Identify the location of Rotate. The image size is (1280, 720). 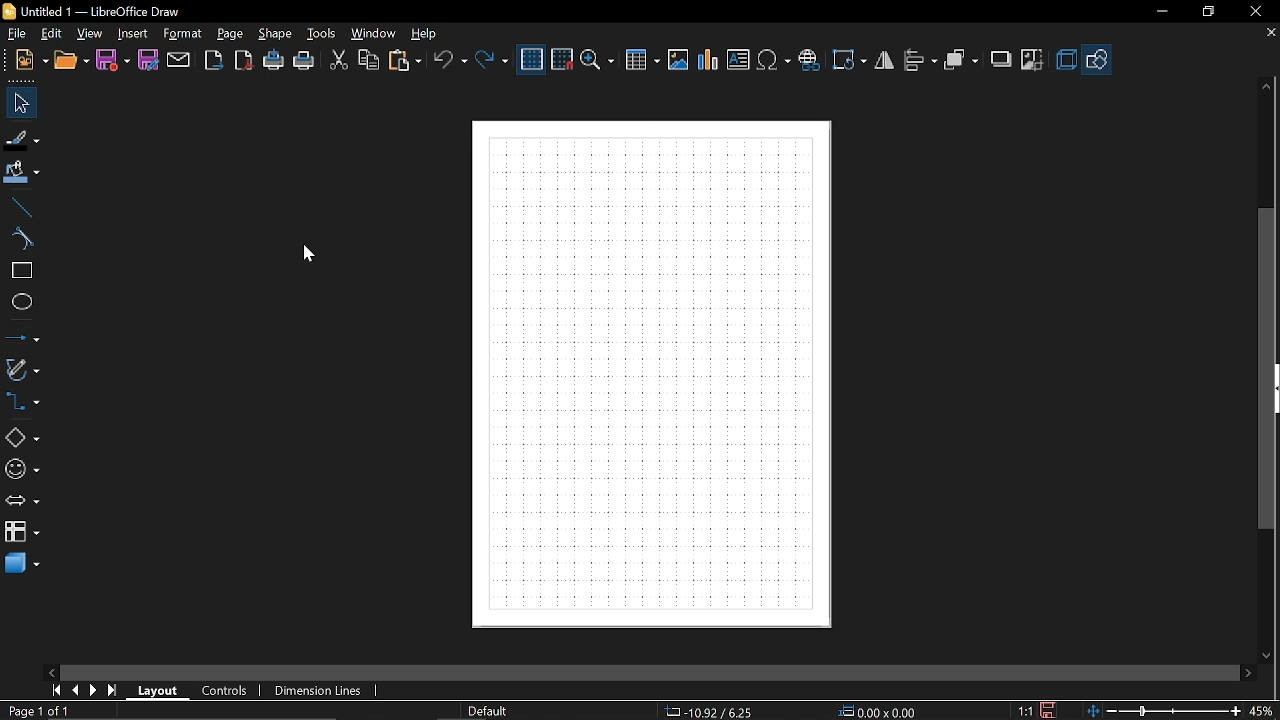
(851, 60).